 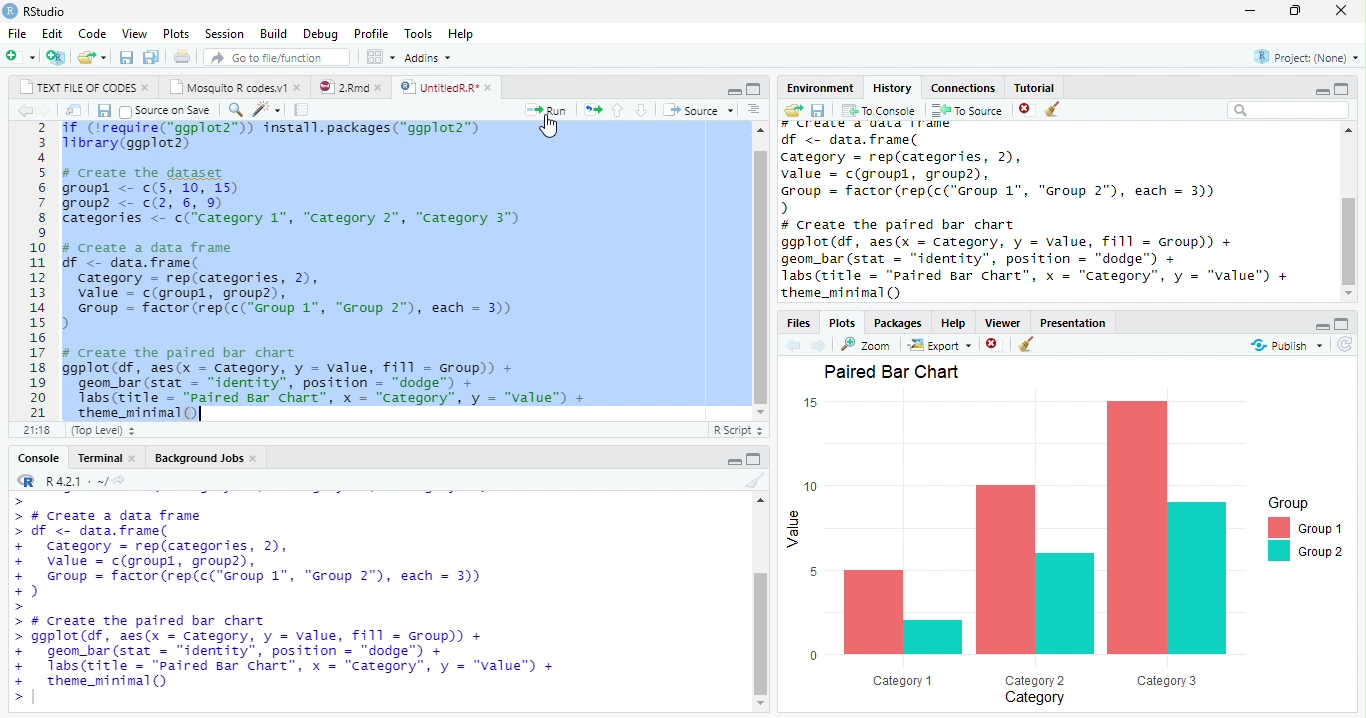 What do you see at coordinates (550, 126) in the screenshot?
I see `cursor` at bounding box center [550, 126].